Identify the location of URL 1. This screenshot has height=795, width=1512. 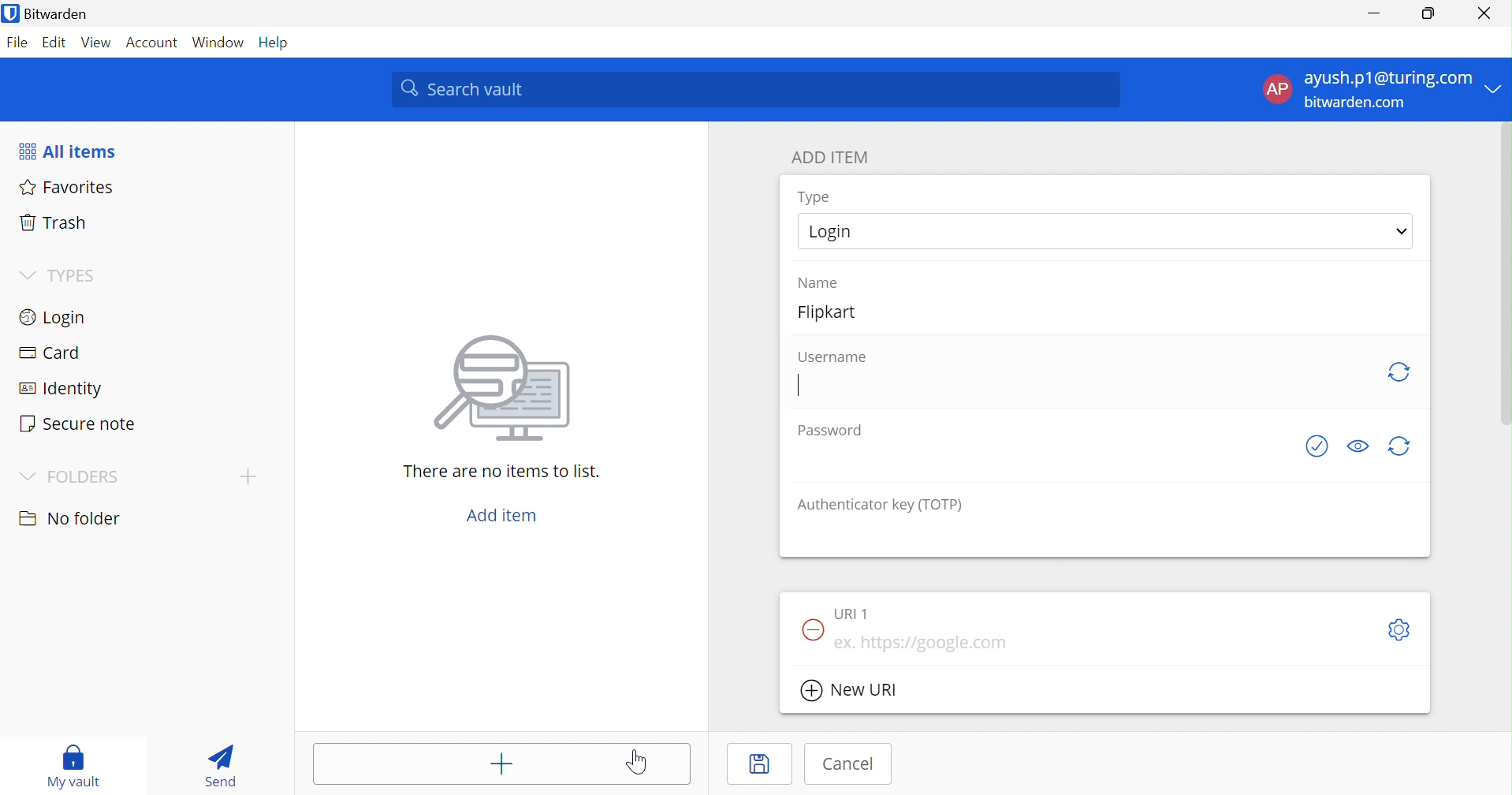
(851, 613).